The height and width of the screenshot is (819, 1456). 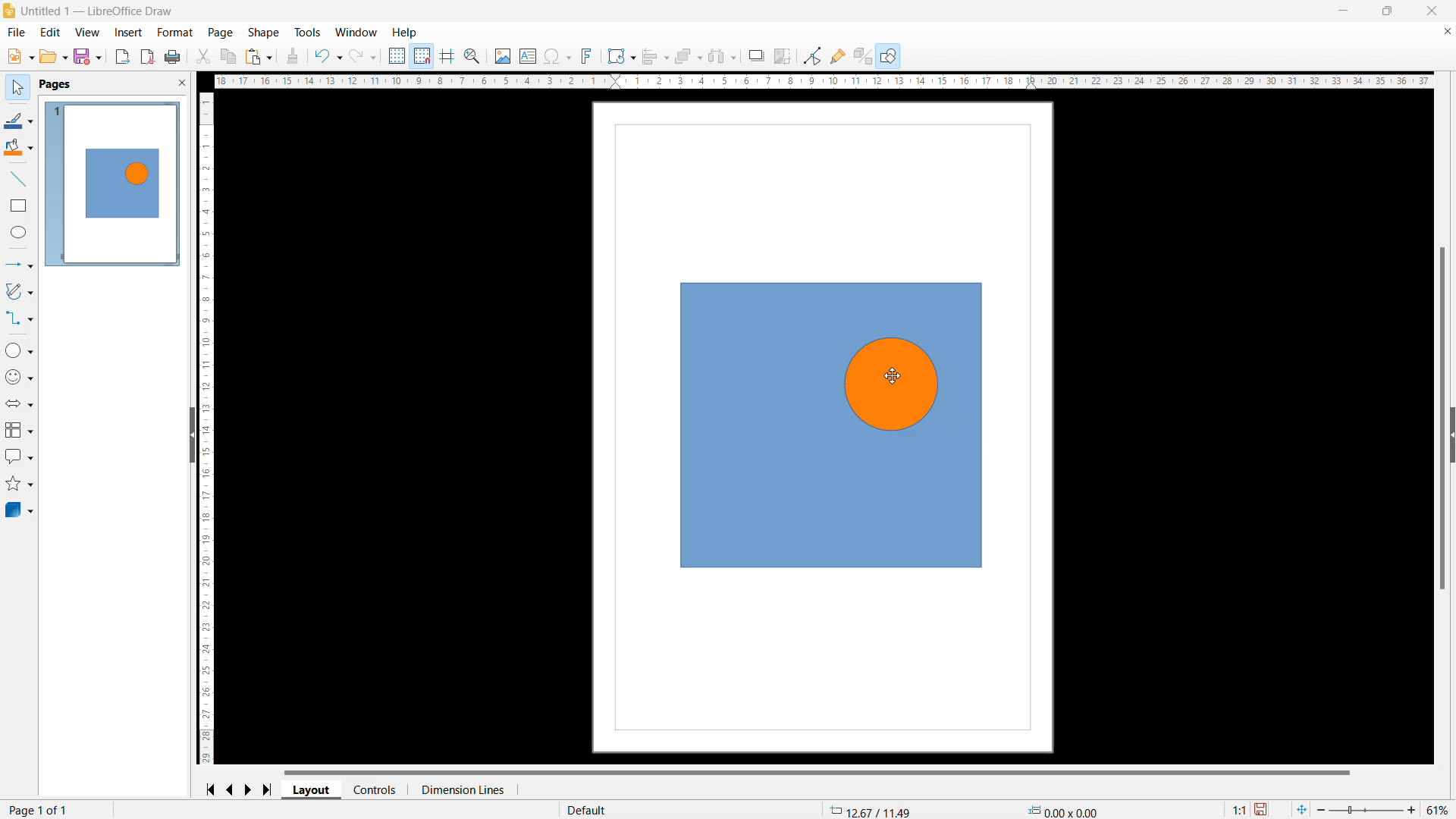 I want to click on controls, so click(x=375, y=790).